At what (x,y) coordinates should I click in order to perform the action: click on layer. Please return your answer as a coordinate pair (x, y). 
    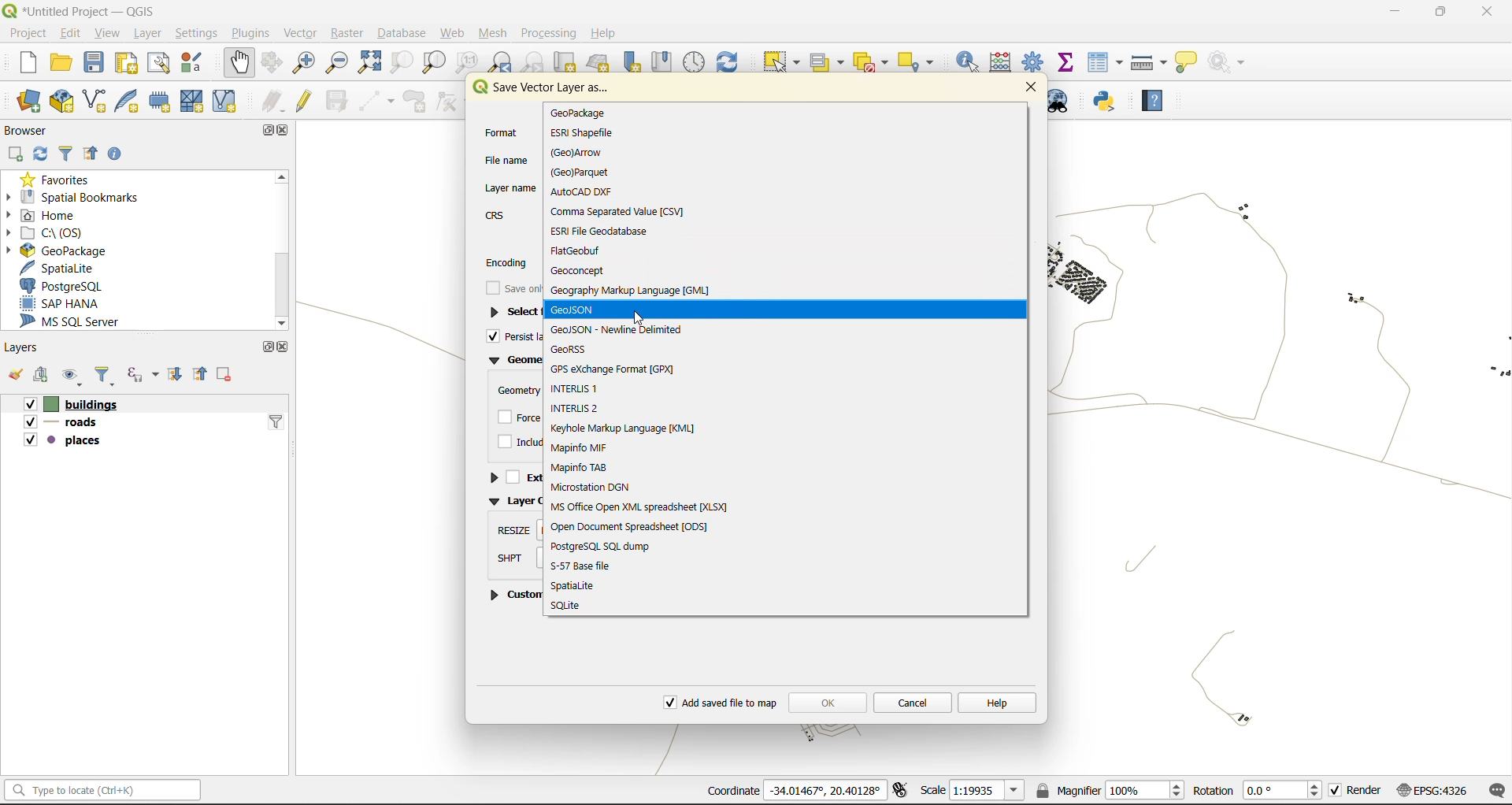
    Looking at the image, I should click on (146, 34).